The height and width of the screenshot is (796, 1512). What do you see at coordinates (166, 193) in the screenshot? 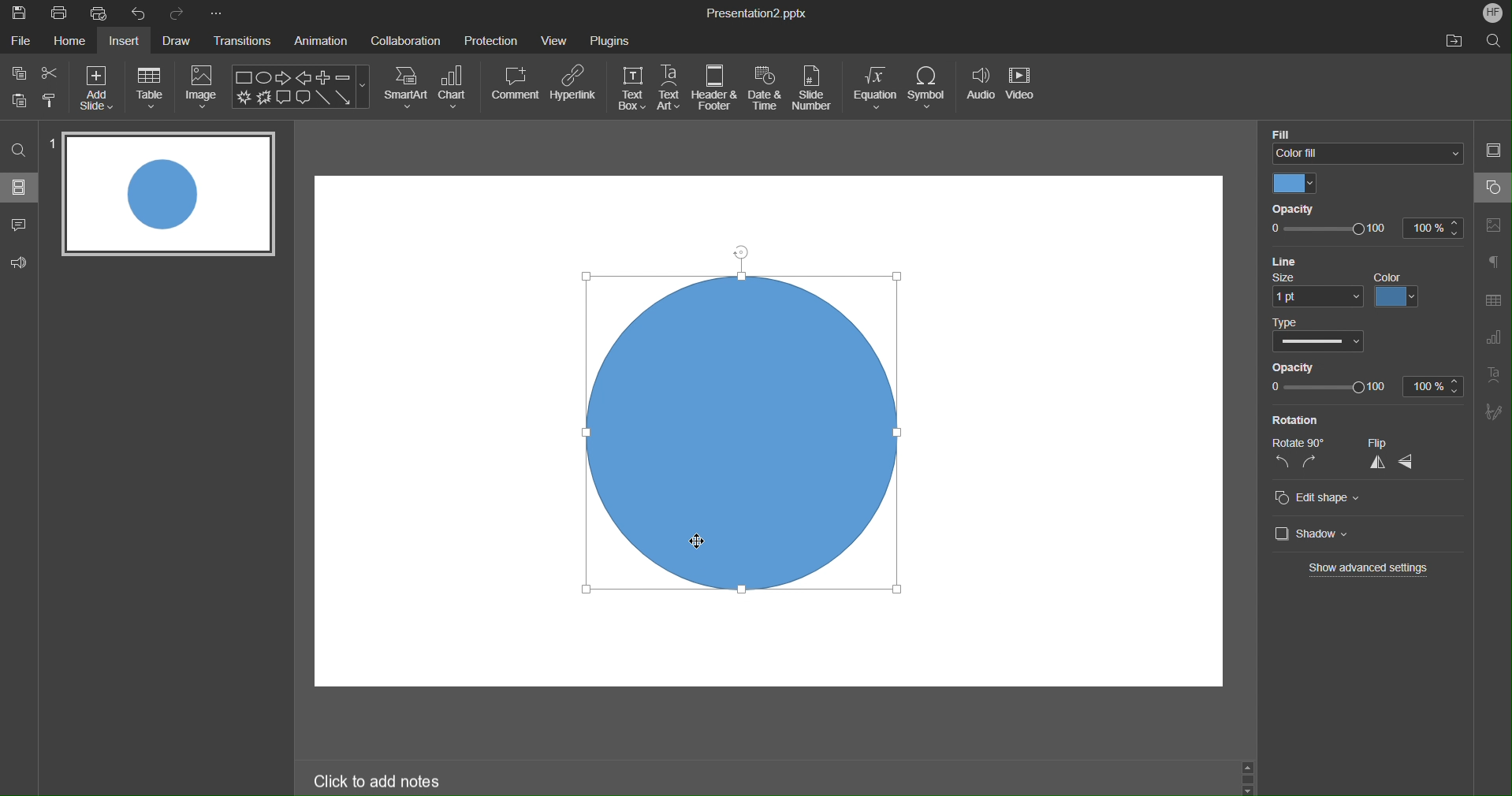
I see `Slide 1` at bounding box center [166, 193].